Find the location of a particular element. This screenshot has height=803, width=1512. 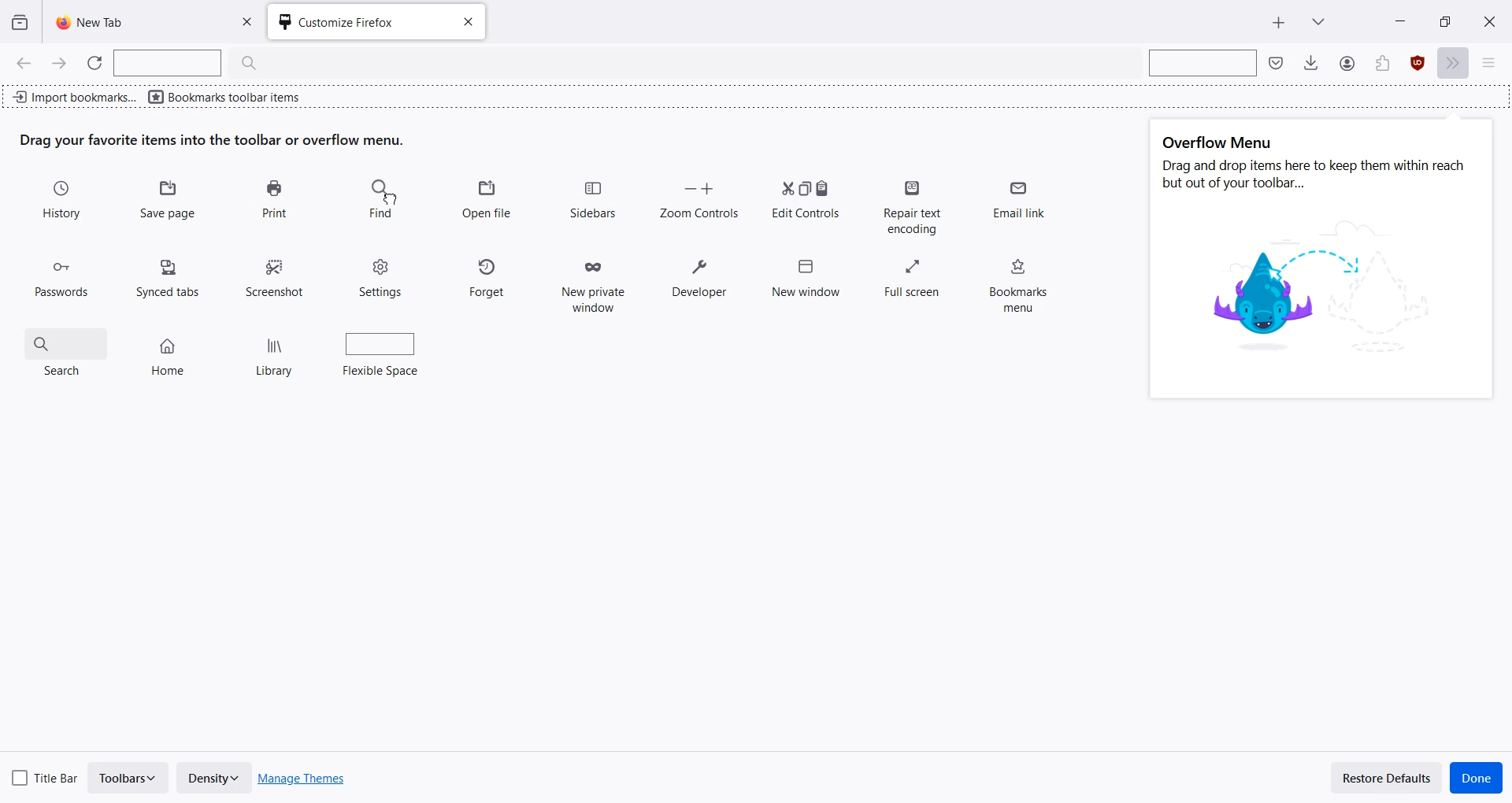

Flexible Space is located at coordinates (381, 351).